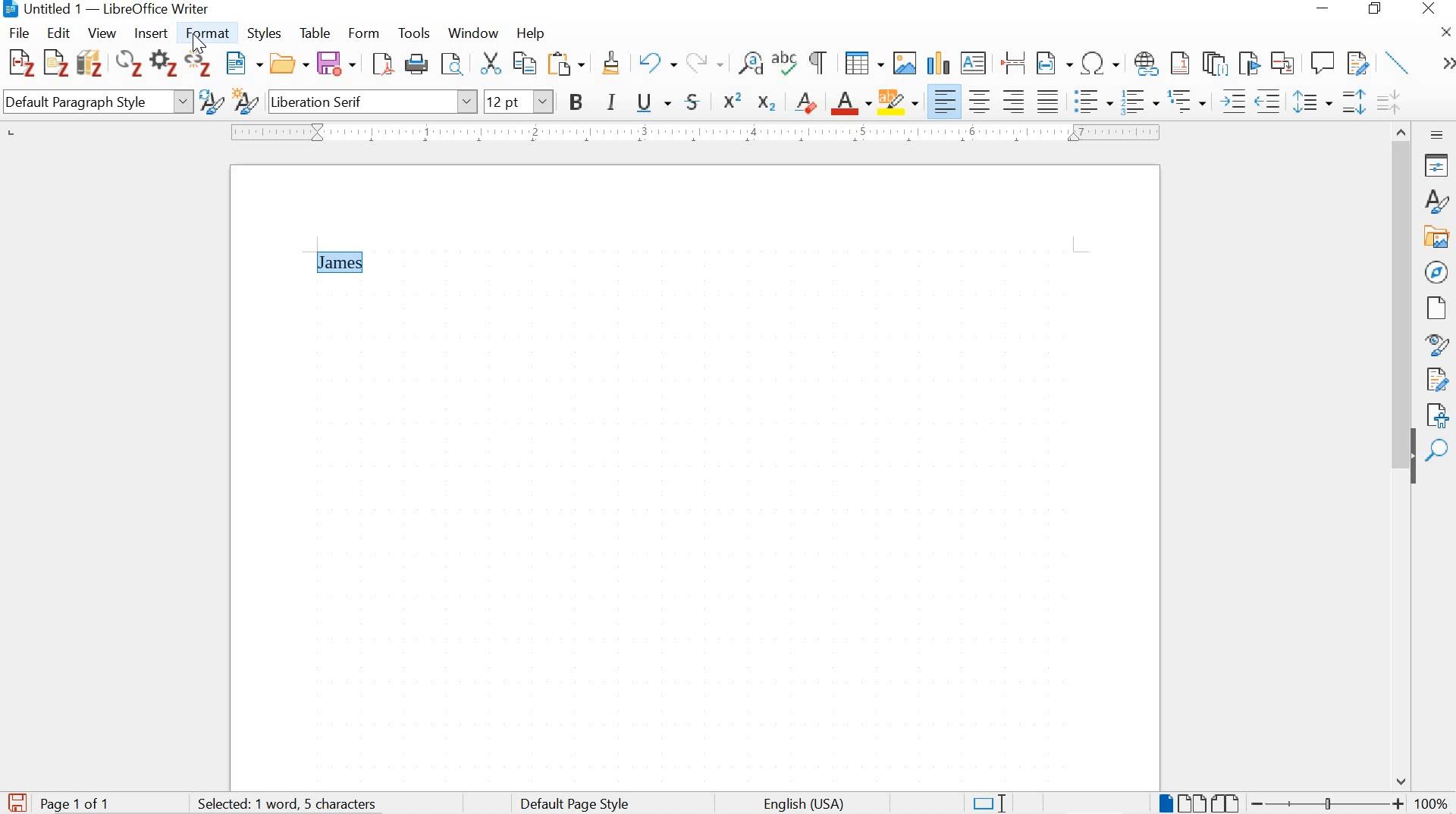 The height and width of the screenshot is (814, 1456). I want to click on insert footnote, so click(1147, 64).